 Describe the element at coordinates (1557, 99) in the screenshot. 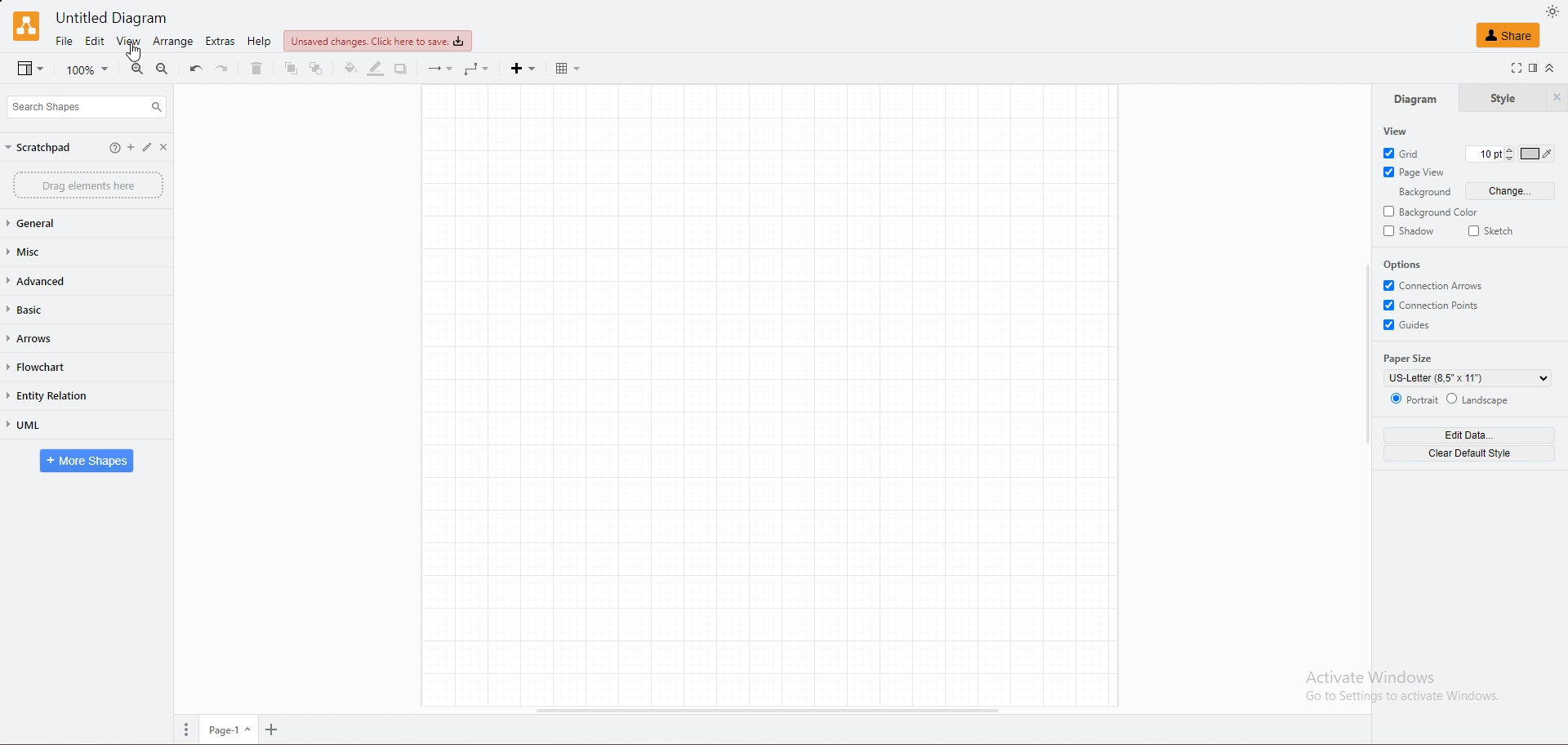

I see `hide` at that location.